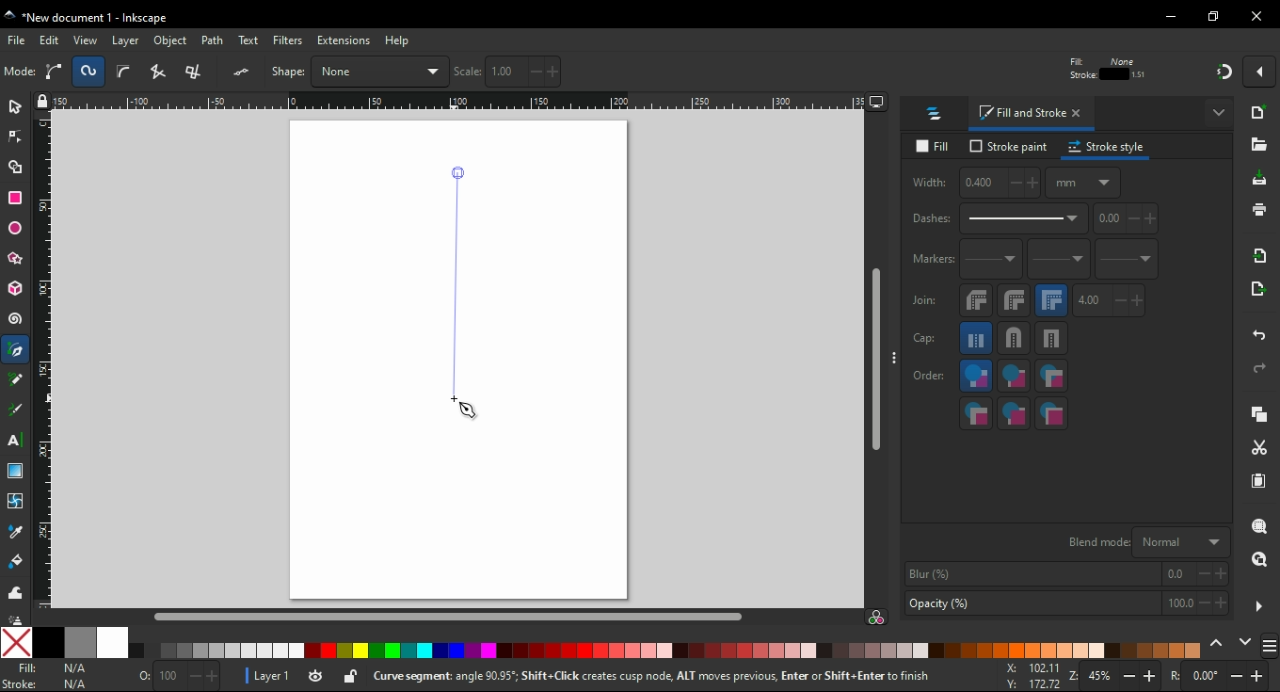 This screenshot has height=692, width=1280. I want to click on color tone pallete, so click(761, 650).